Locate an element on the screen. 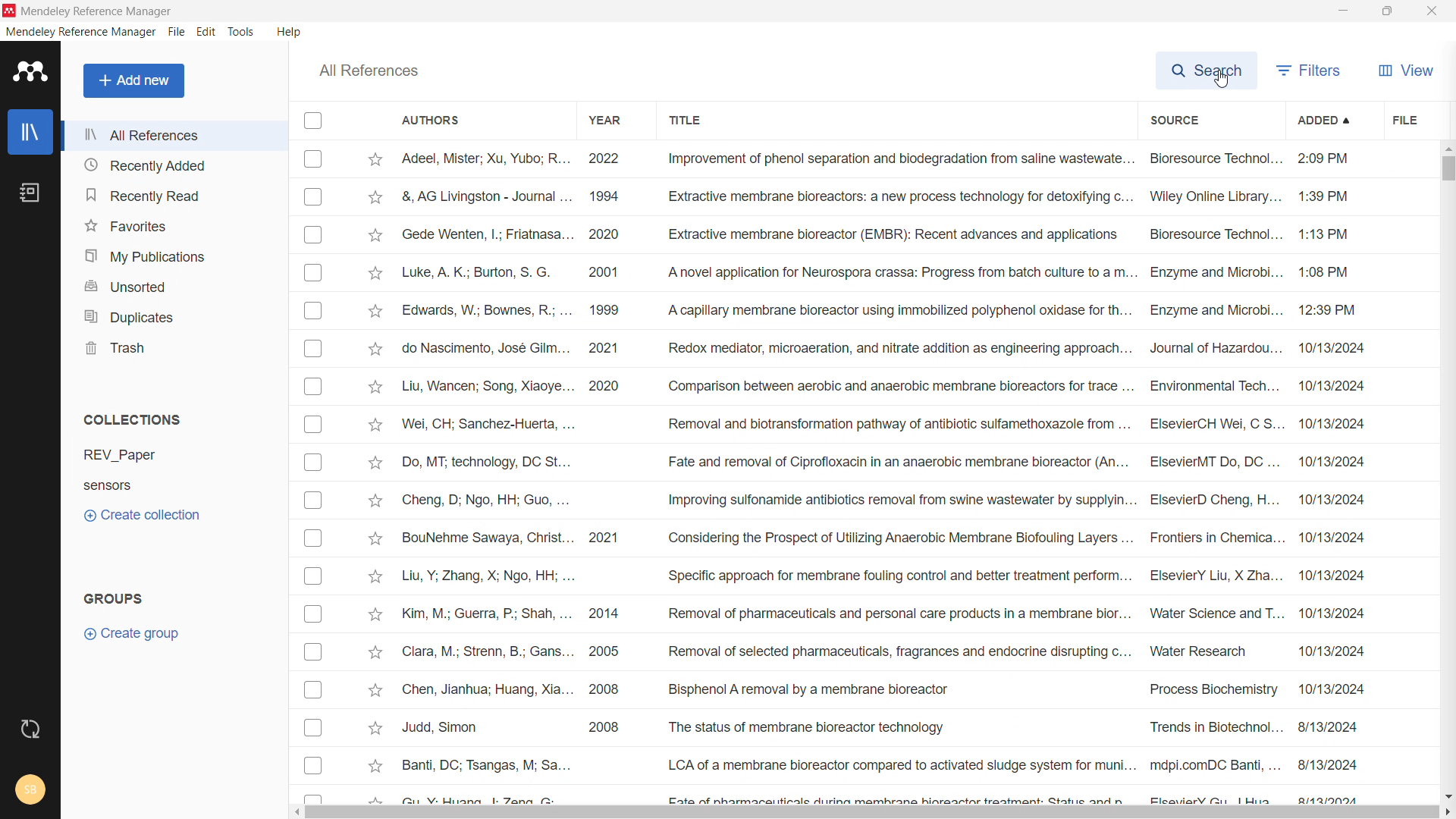  mendeley reference manager is located at coordinates (81, 31).